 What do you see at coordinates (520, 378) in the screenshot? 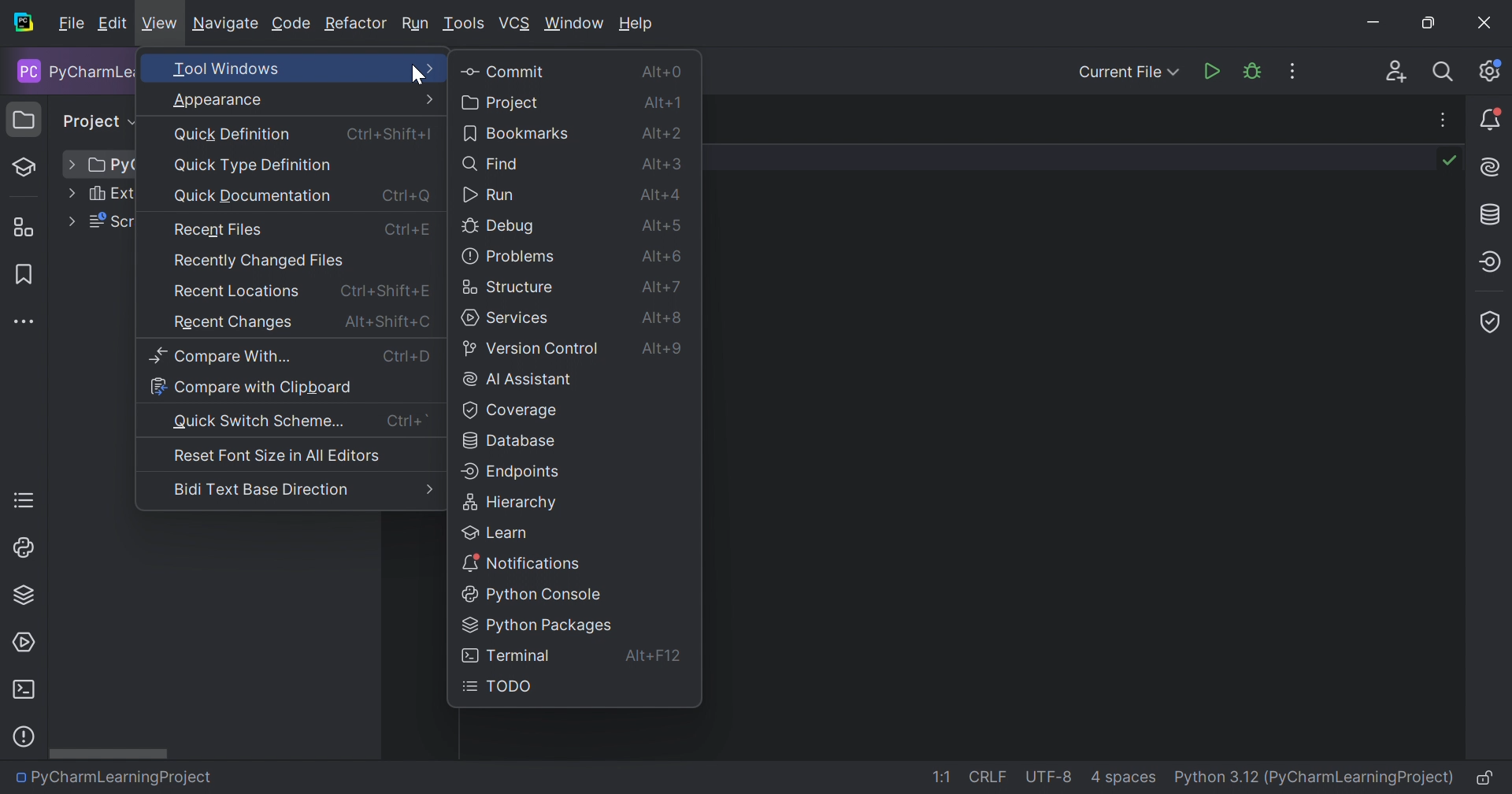
I see `Al Assistant` at bounding box center [520, 378].